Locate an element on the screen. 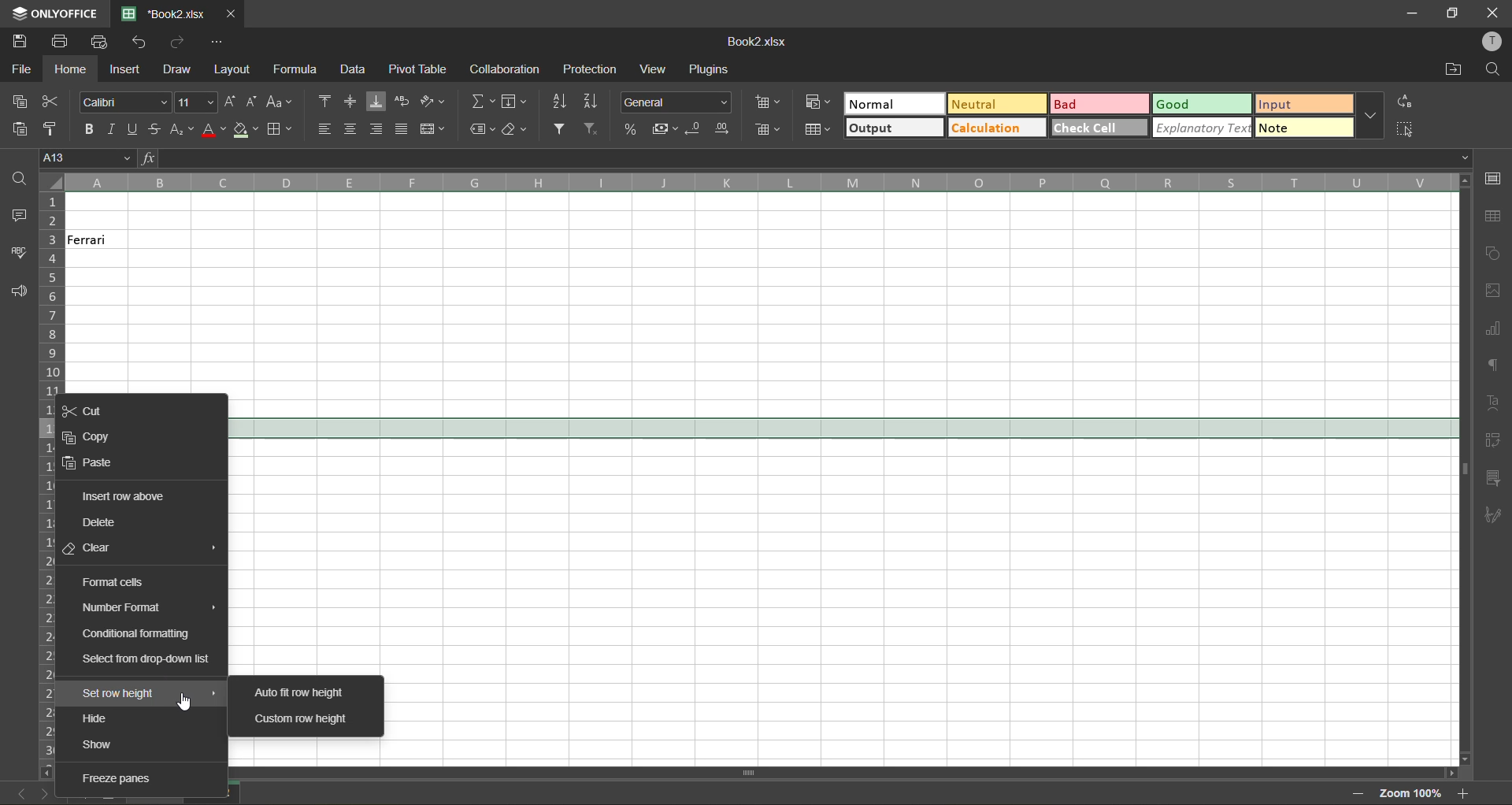  filename is located at coordinates (170, 14).